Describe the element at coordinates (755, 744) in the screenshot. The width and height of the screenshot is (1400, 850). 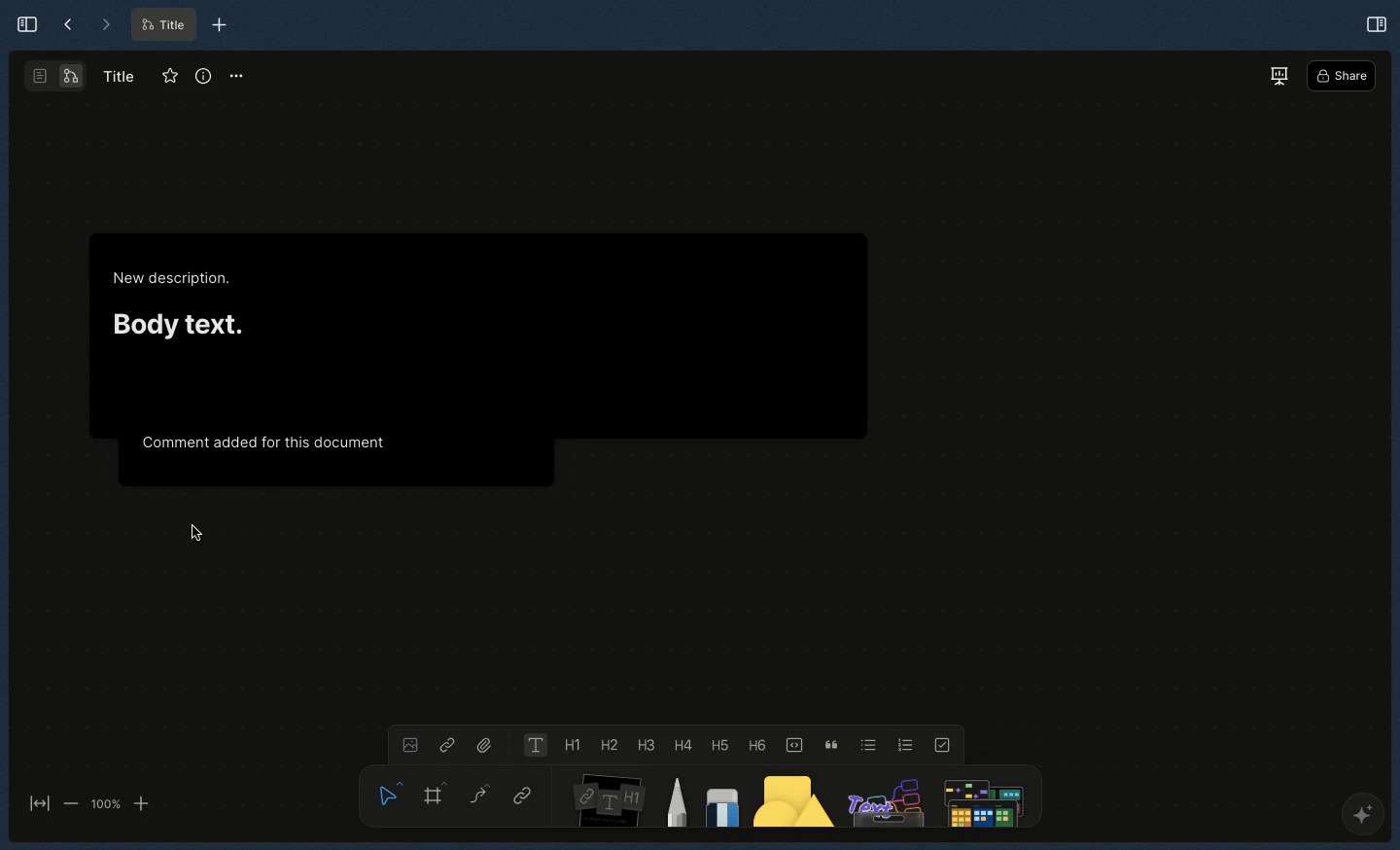
I see `Heading 6` at that location.